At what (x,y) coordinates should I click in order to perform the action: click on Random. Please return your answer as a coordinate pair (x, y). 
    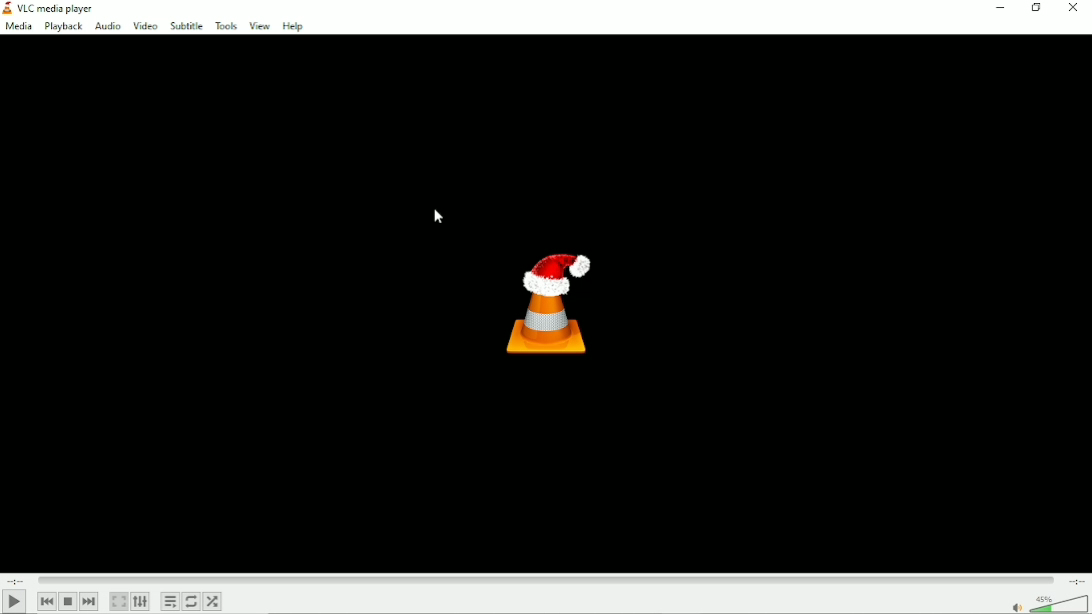
    Looking at the image, I should click on (212, 601).